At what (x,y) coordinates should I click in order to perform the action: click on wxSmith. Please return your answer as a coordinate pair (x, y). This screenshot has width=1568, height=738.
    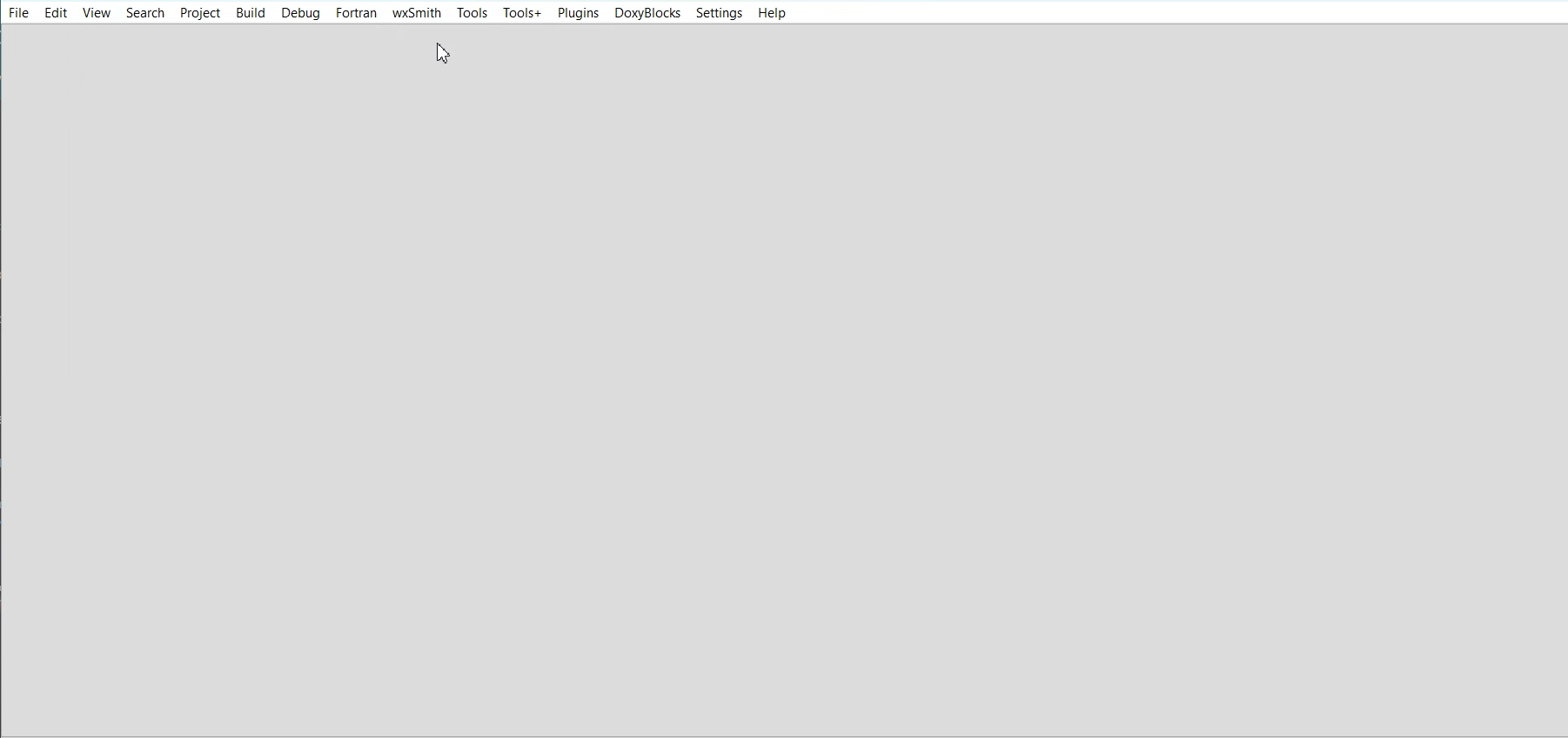
    Looking at the image, I should click on (417, 13).